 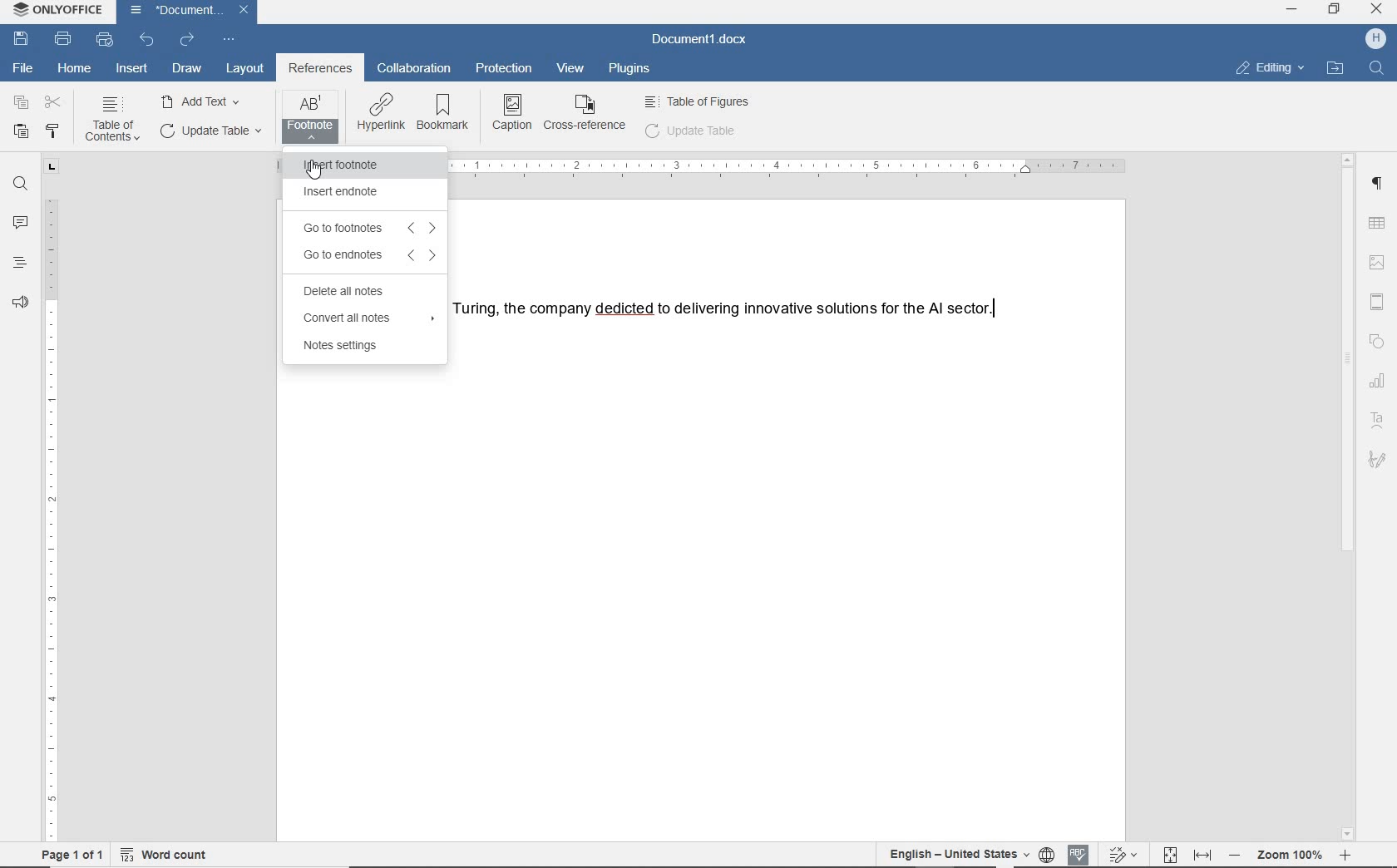 I want to click on caption, so click(x=513, y=111).